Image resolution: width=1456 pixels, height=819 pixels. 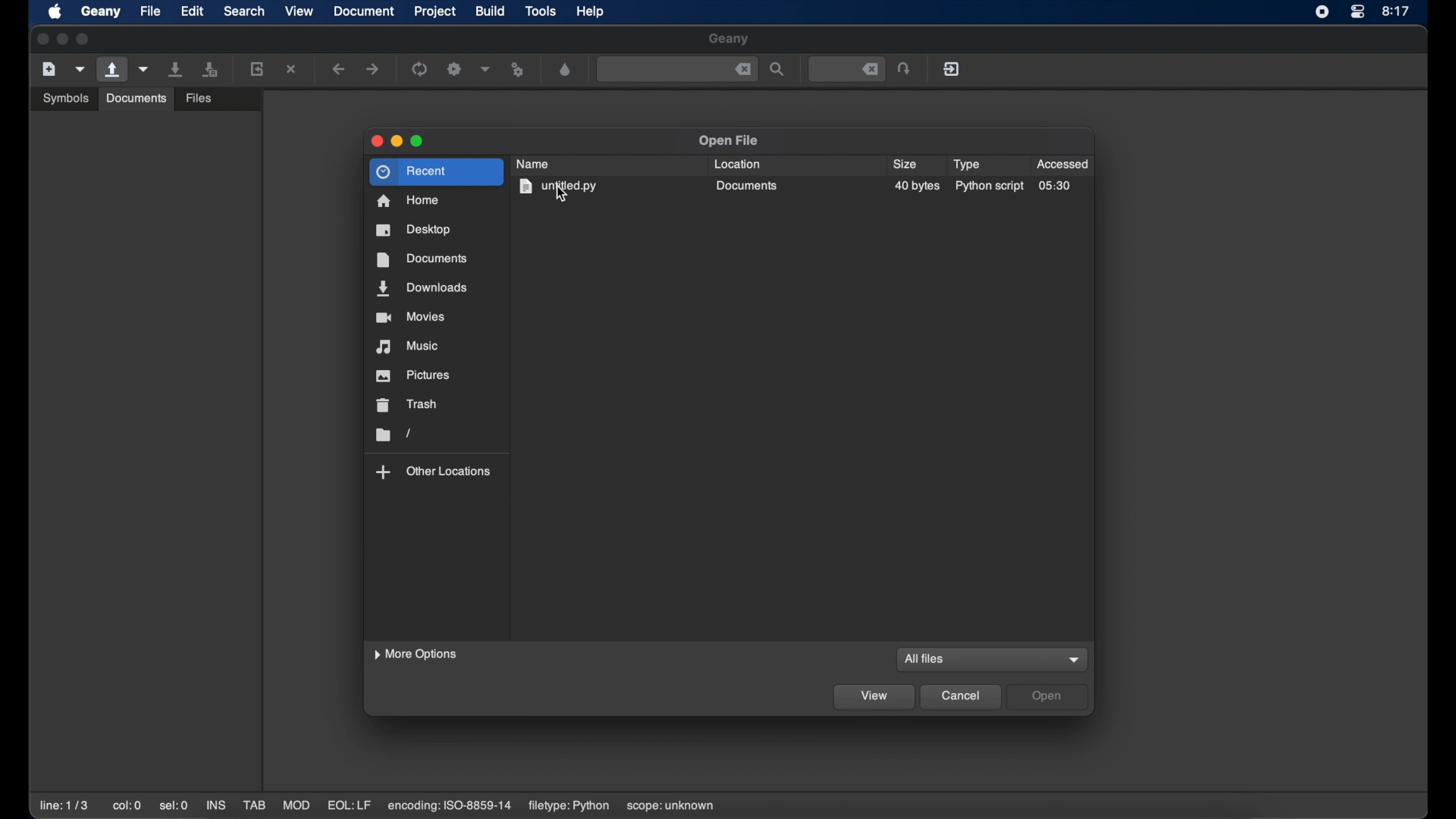 What do you see at coordinates (408, 404) in the screenshot?
I see `trash` at bounding box center [408, 404].